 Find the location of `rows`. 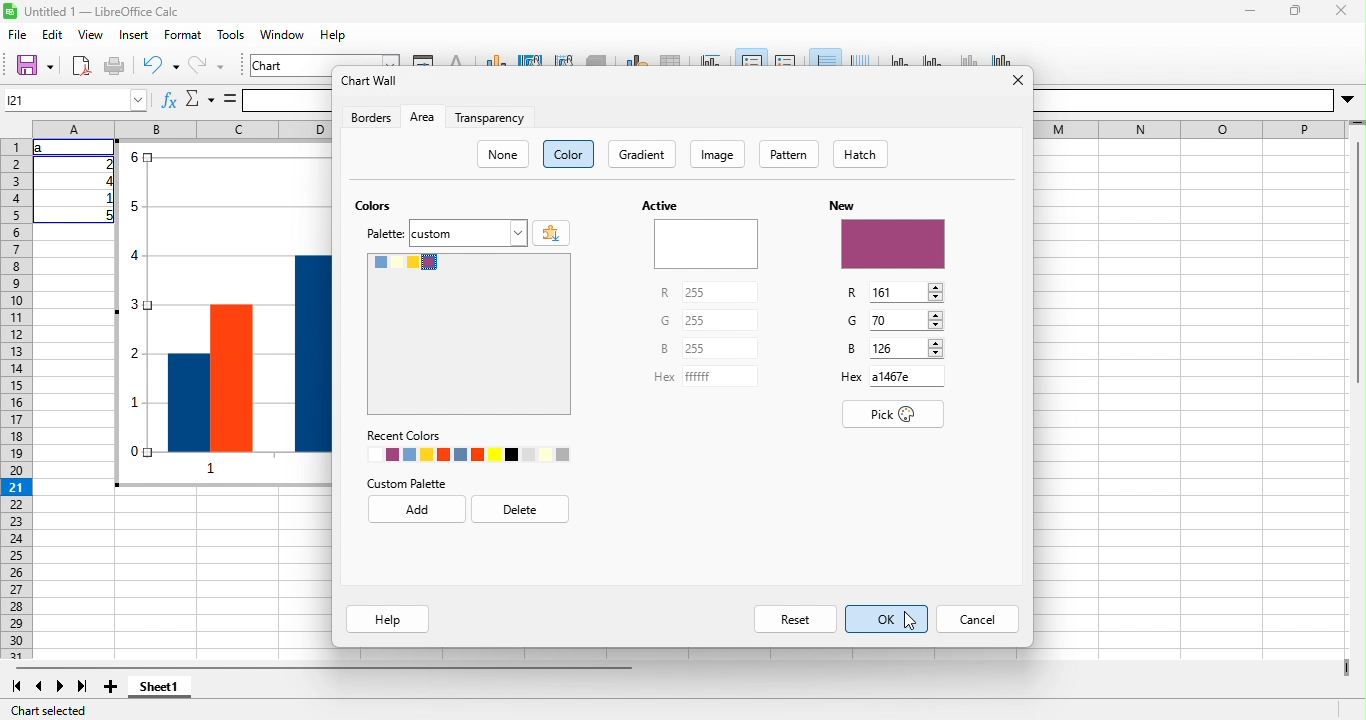

rows is located at coordinates (17, 399).